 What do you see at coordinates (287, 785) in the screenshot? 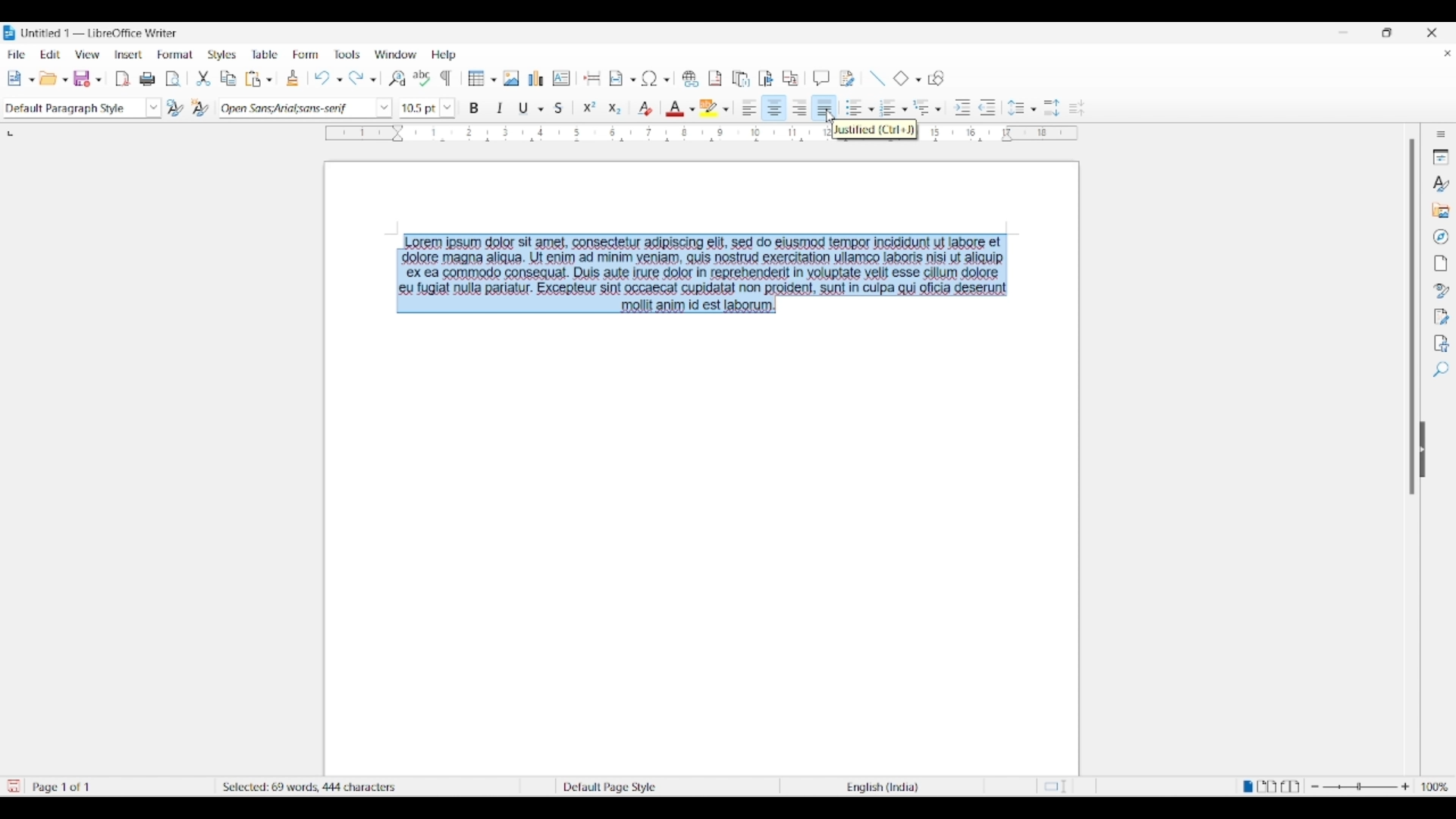
I see `69 words, 446 characters` at bounding box center [287, 785].